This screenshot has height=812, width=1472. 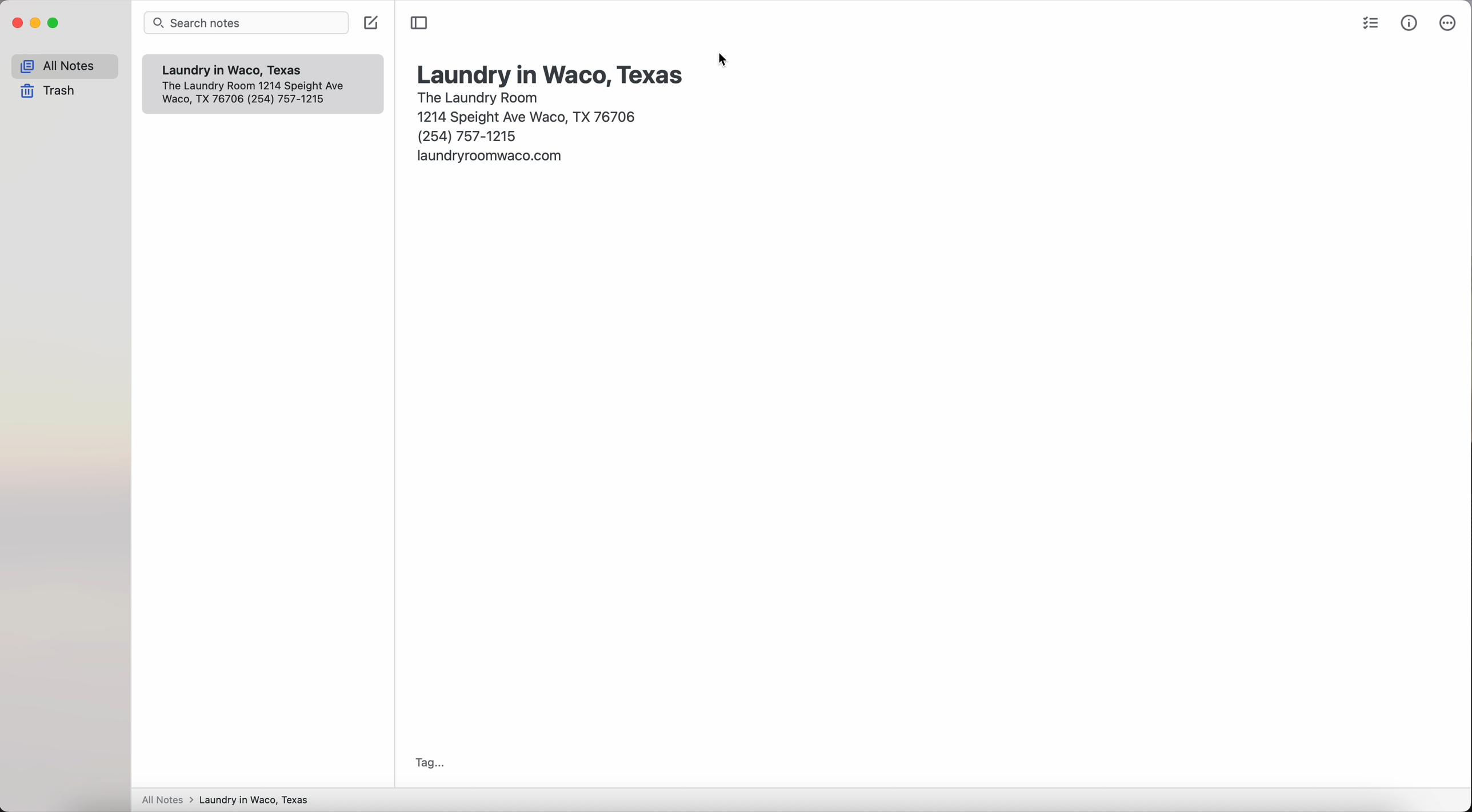 I want to click on toggle sidebar, so click(x=419, y=23).